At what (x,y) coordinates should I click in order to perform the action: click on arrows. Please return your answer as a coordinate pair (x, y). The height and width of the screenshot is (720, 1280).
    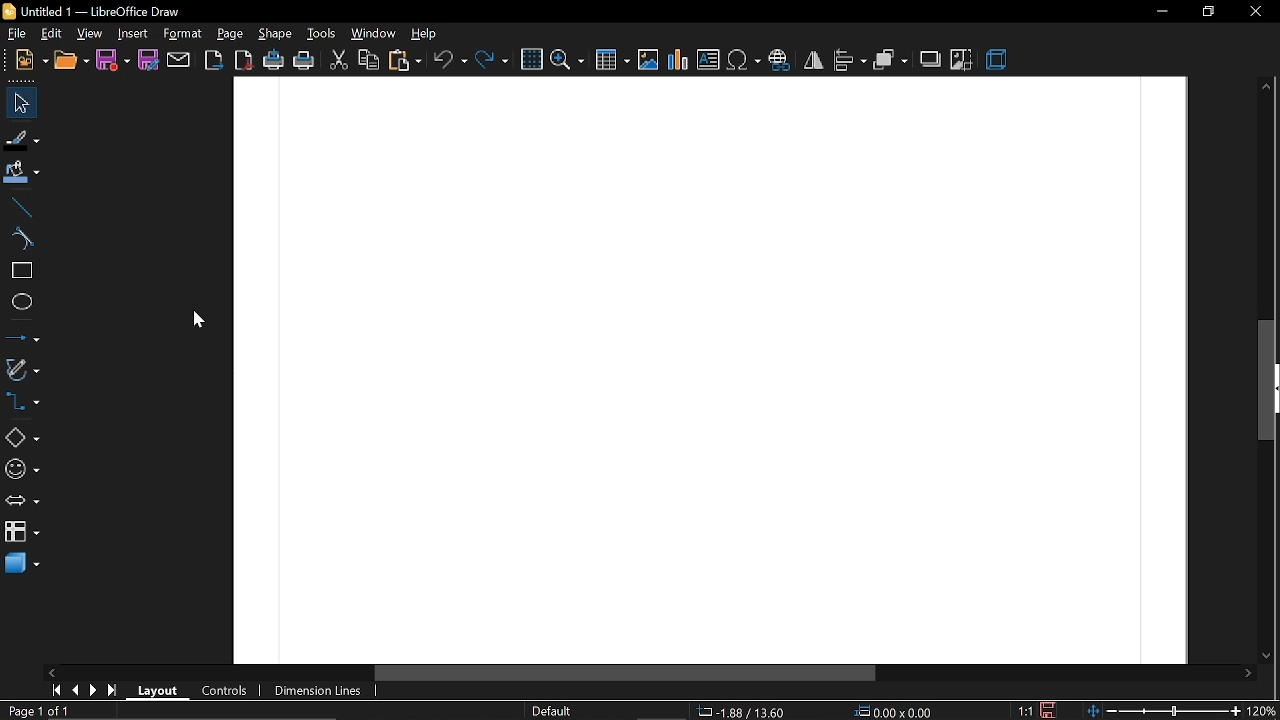
    Looking at the image, I should click on (20, 503).